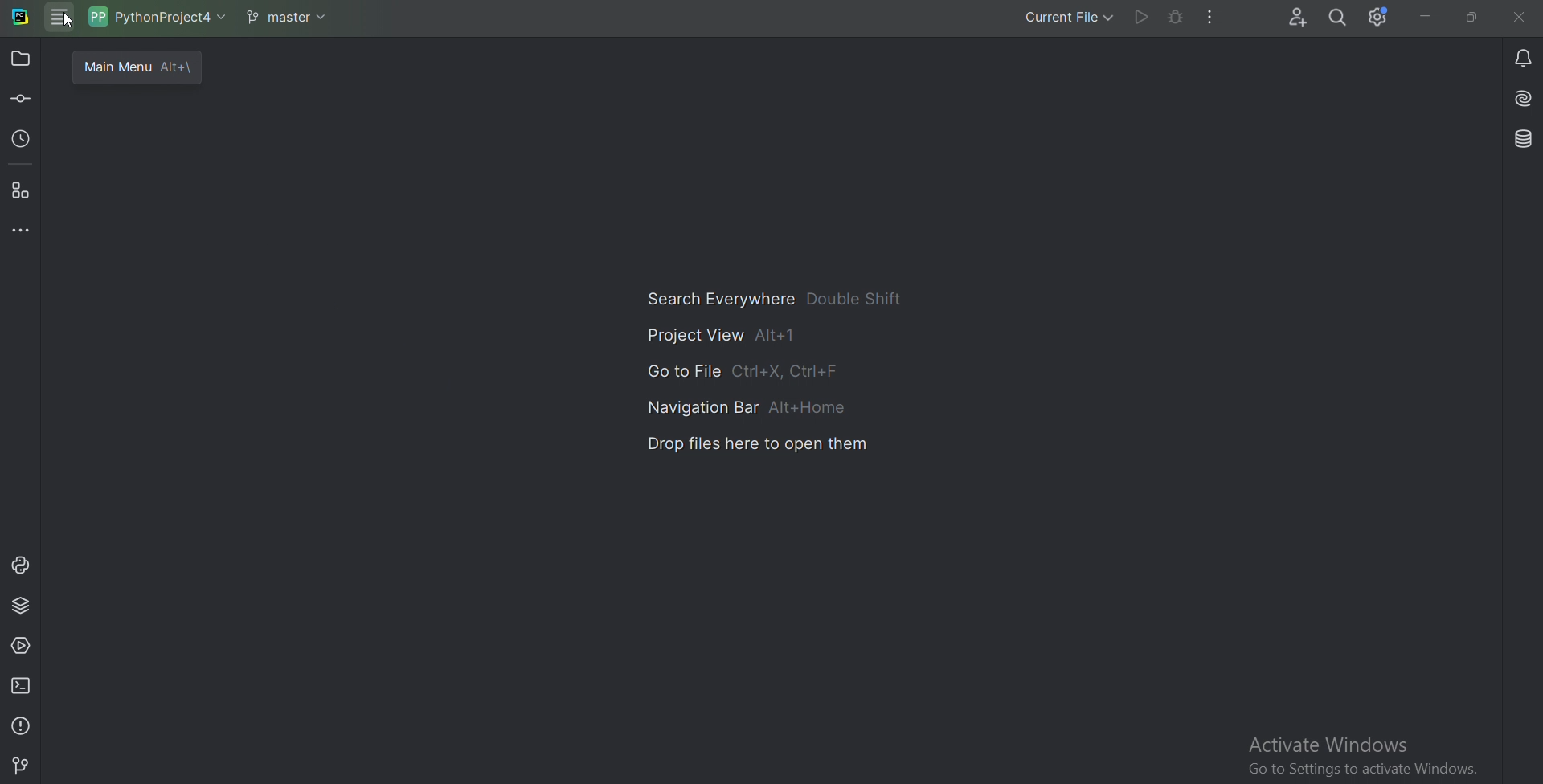 The width and height of the screenshot is (1543, 784). Describe the element at coordinates (1521, 99) in the screenshot. I see `Install AI Assistant` at that location.